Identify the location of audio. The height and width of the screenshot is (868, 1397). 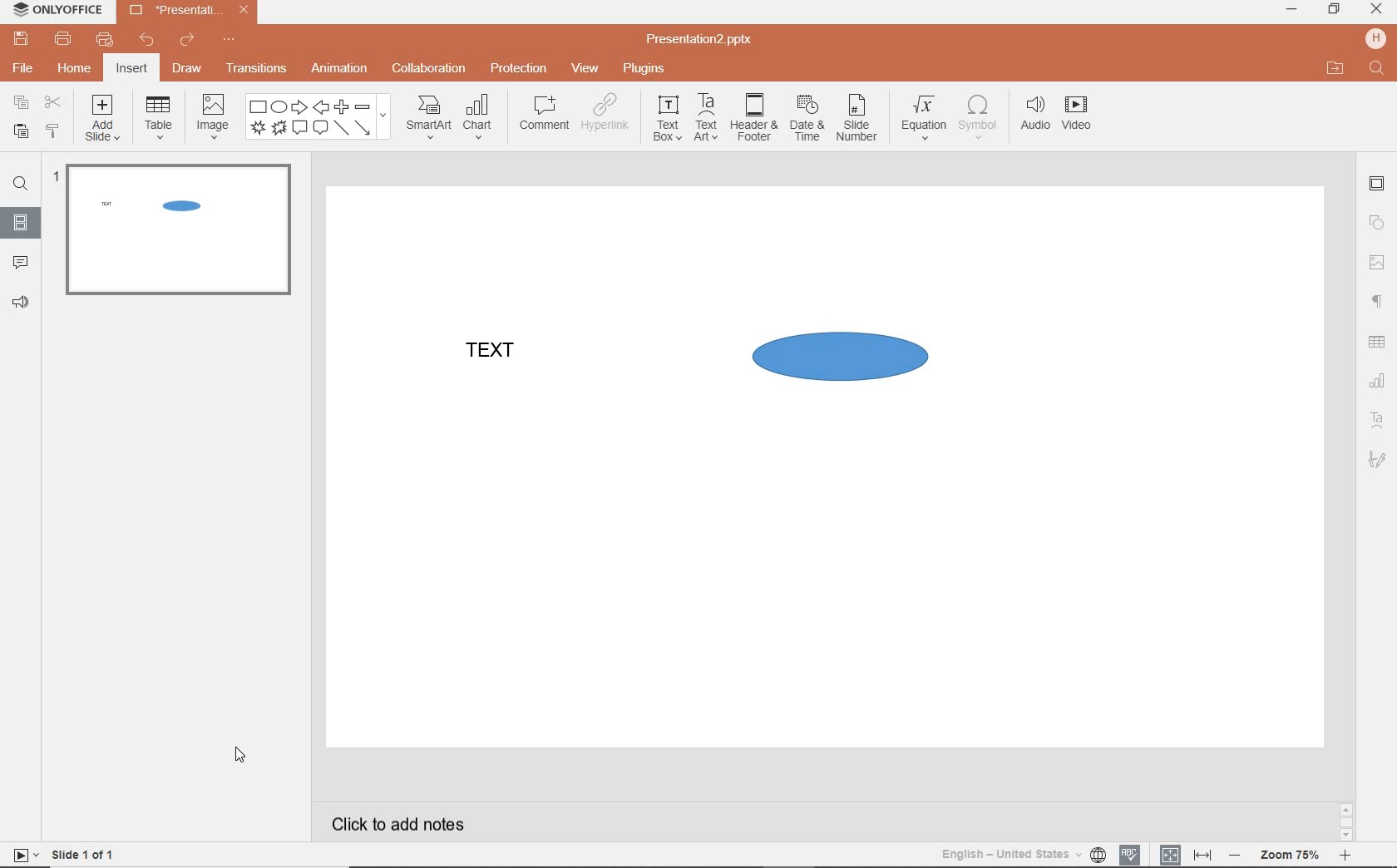
(1032, 117).